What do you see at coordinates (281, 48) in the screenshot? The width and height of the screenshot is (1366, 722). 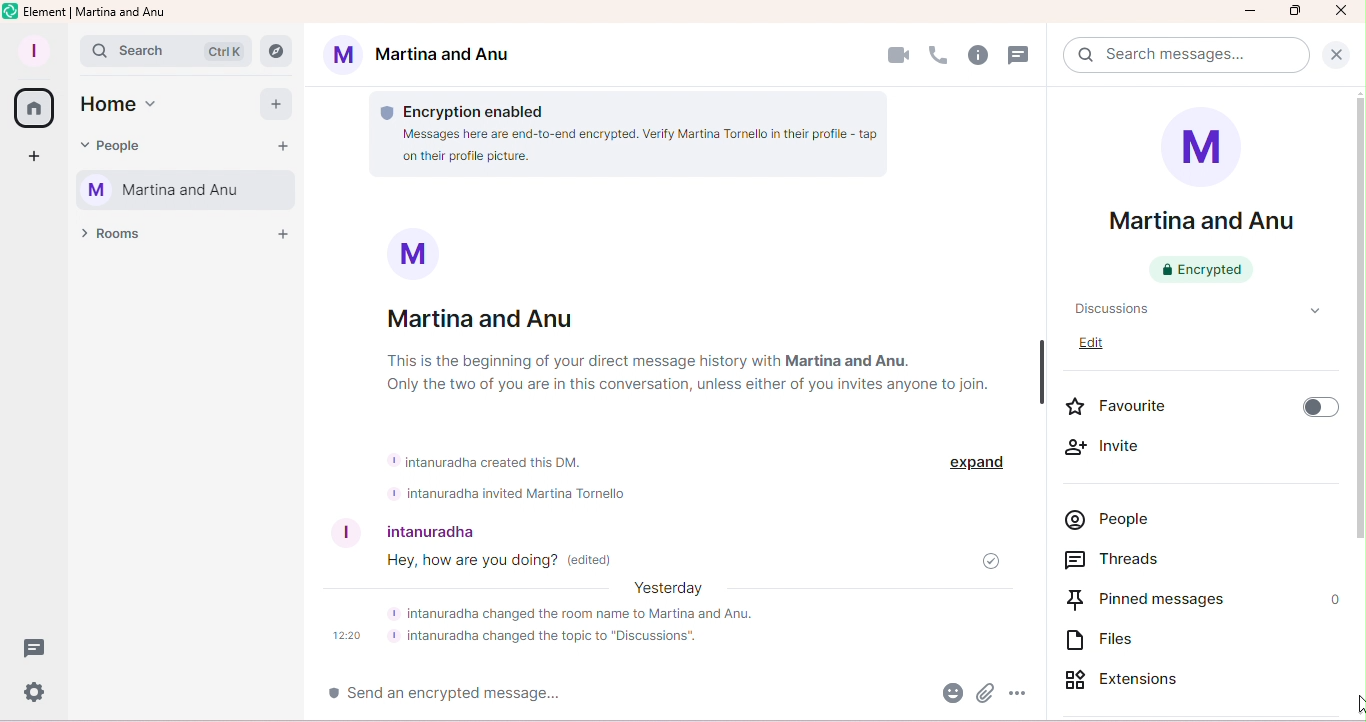 I see `Explore rooms` at bounding box center [281, 48].